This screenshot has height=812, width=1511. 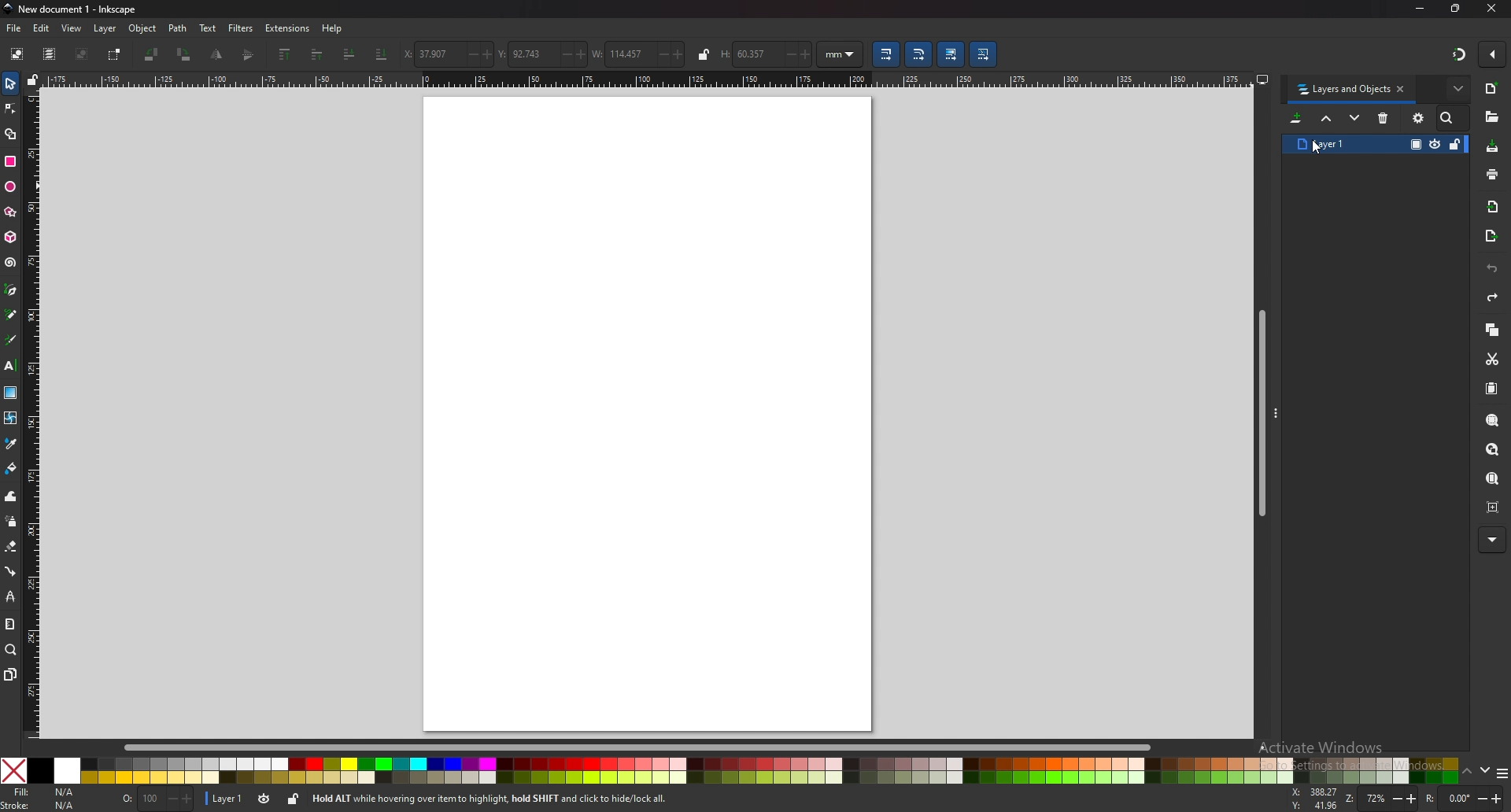 What do you see at coordinates (1419, 118) in the screenshot?
I see `settings` at bounding box center [1419, 118].